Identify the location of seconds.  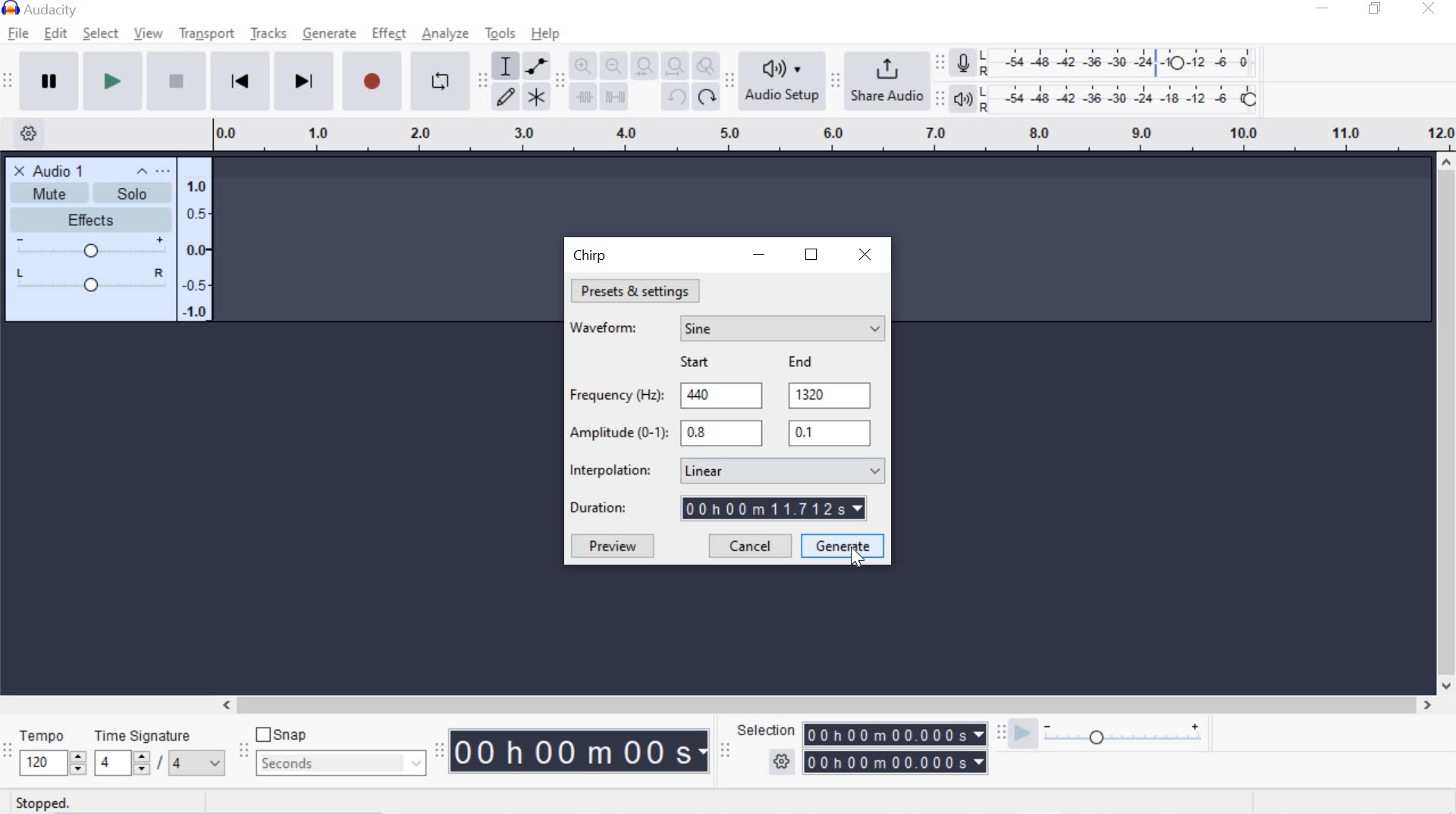
(341, 762).